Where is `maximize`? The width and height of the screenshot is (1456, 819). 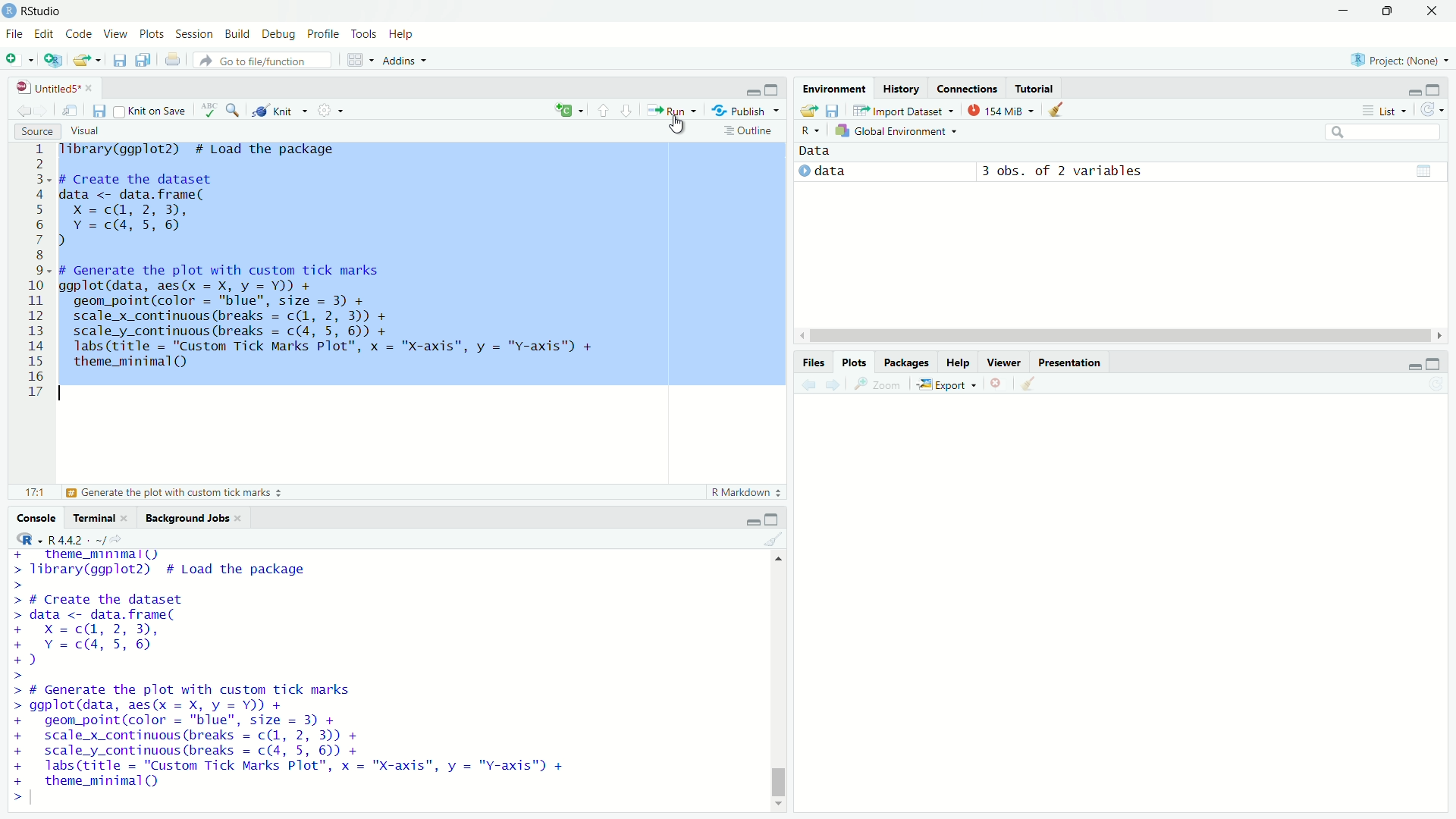 maximize is located at coordinates (775, 517).